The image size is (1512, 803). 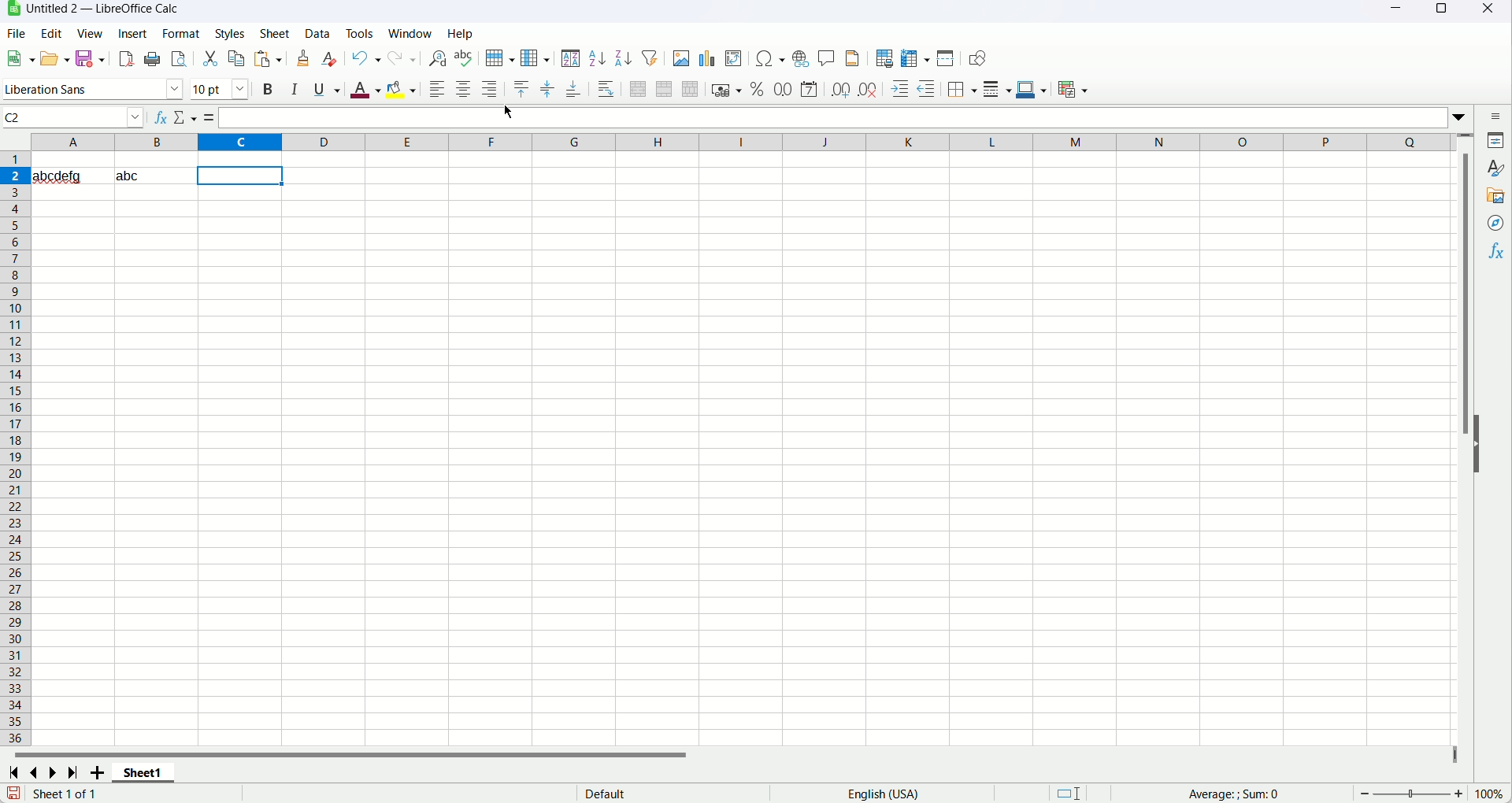 What do you see at coordinates (140, 774) in the screenshot?
I see `sheet1` at bounding box center [140, 774].